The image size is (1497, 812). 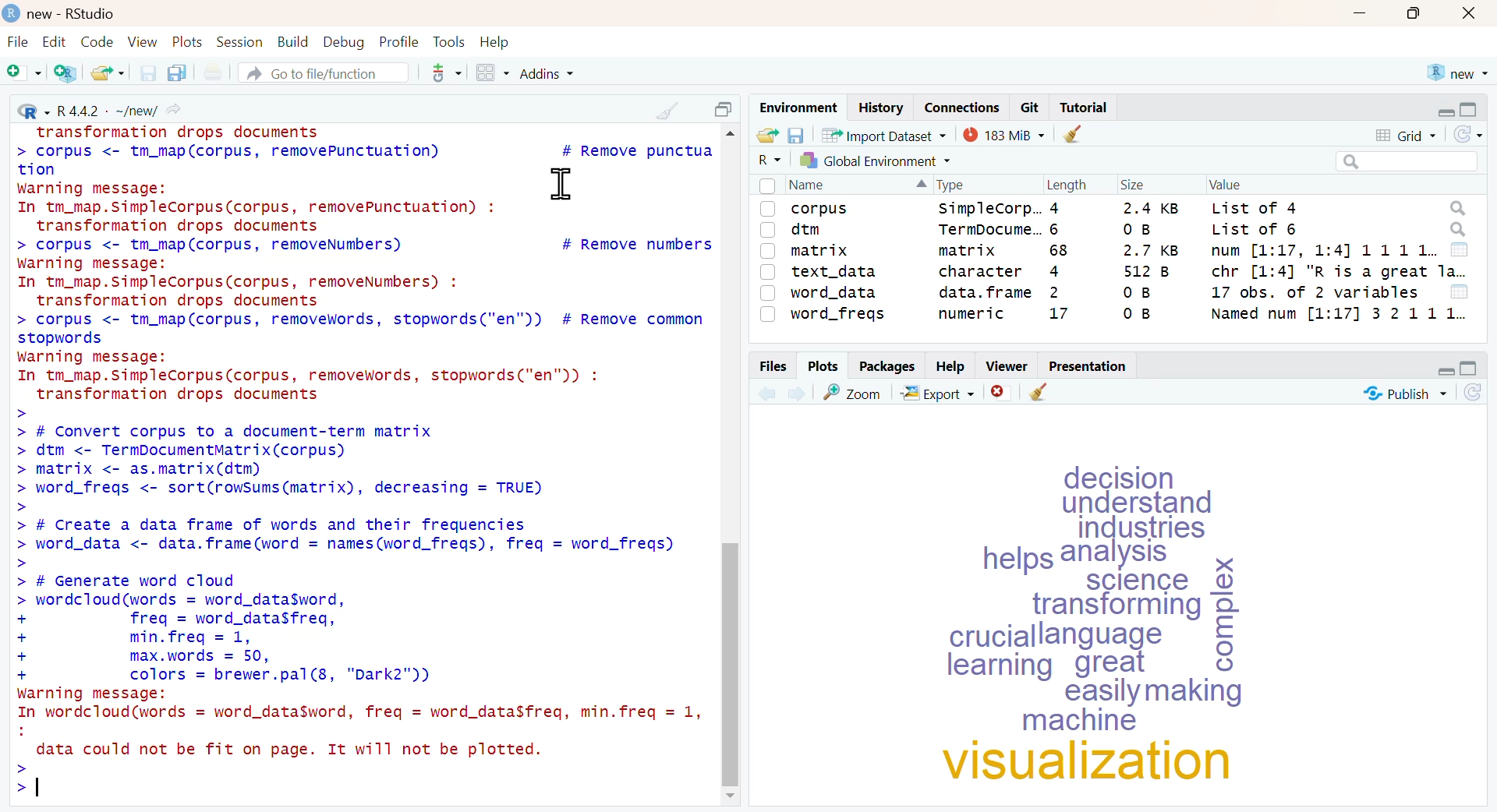 What do you see at coordinates (808, 231) in the screenshot?
I see `dtm` at bounding box center [808, 231].